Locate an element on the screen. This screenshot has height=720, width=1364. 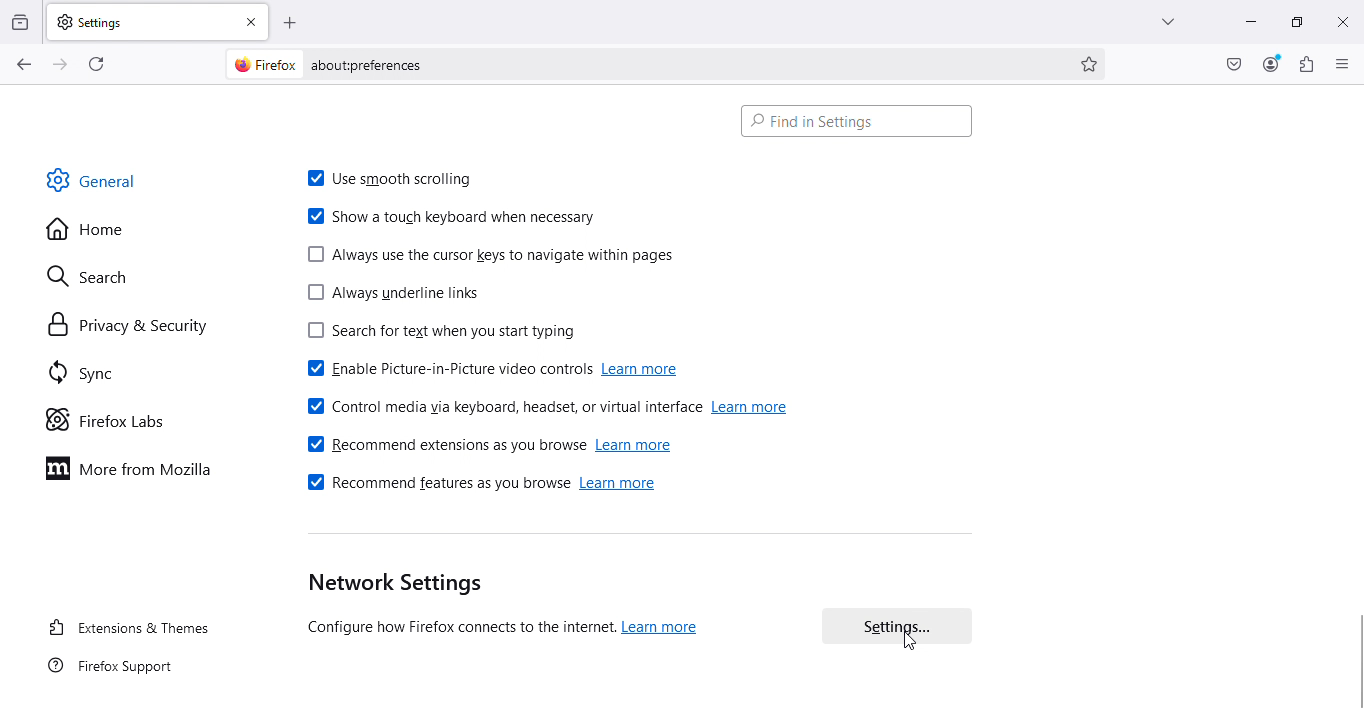
Reload current page is located at coordinates (99, 62).